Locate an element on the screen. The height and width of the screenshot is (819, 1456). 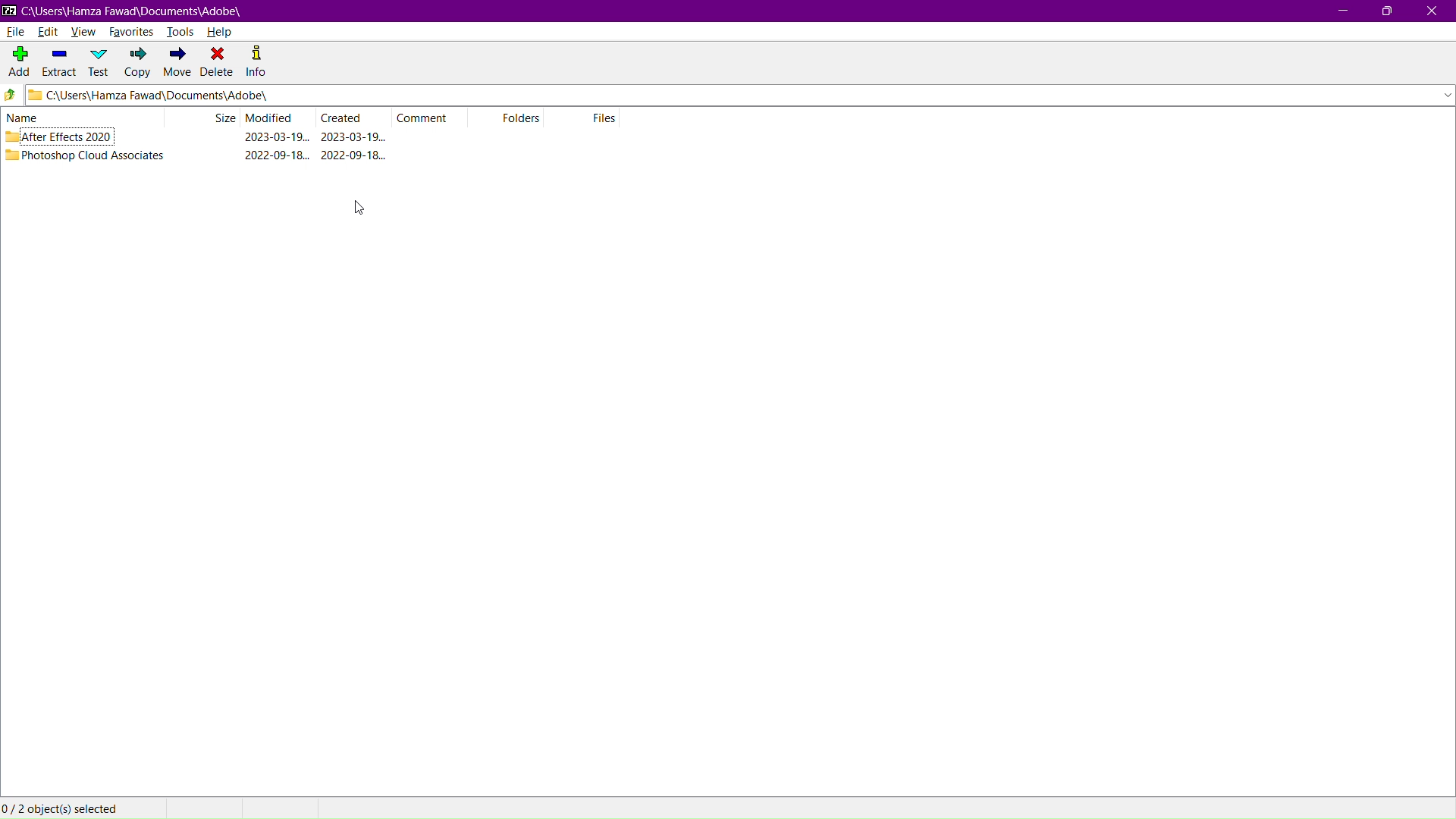
Go up directory is located at coordinates (11, 96).